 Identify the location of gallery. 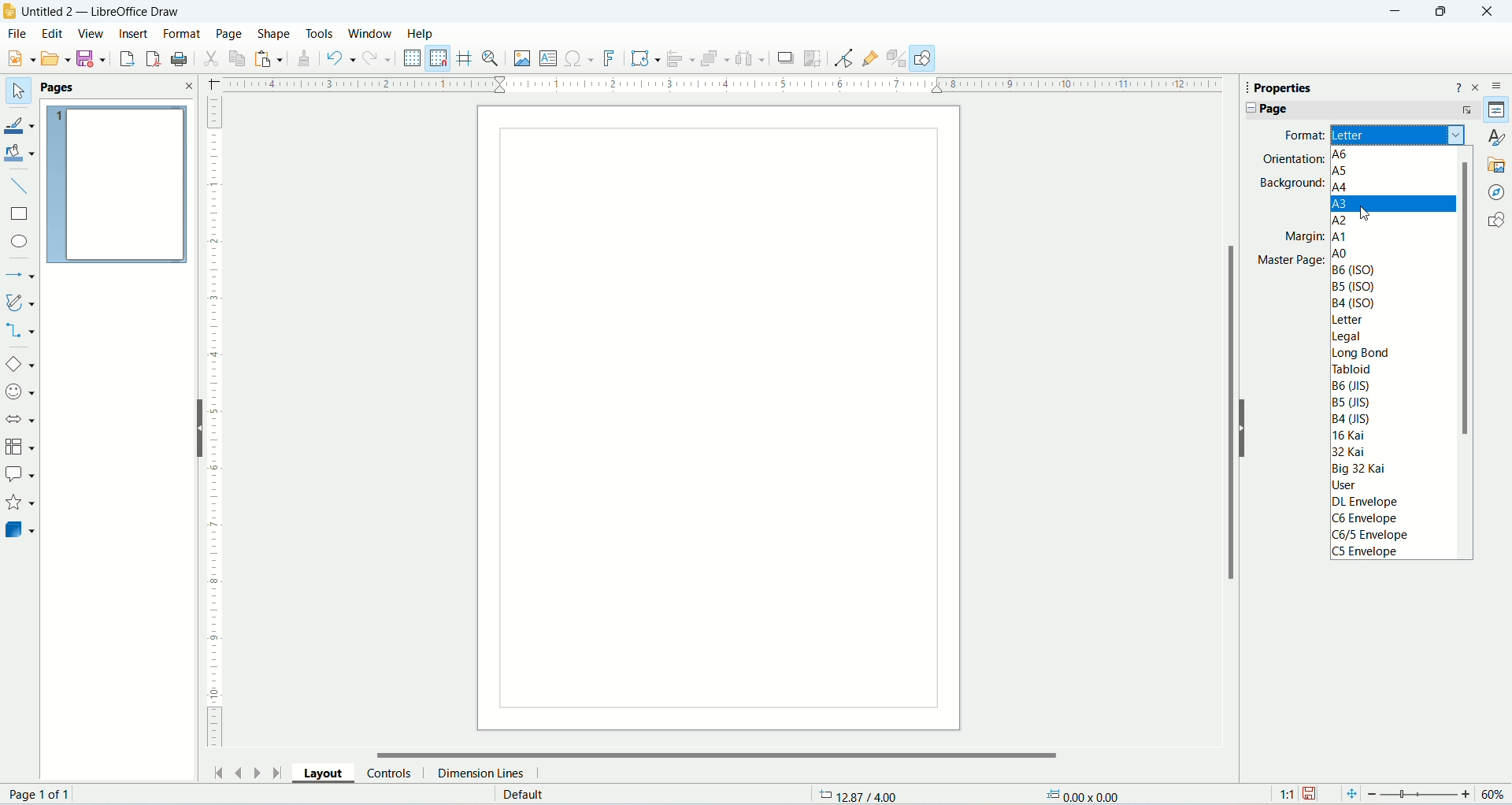
(1498, 165).